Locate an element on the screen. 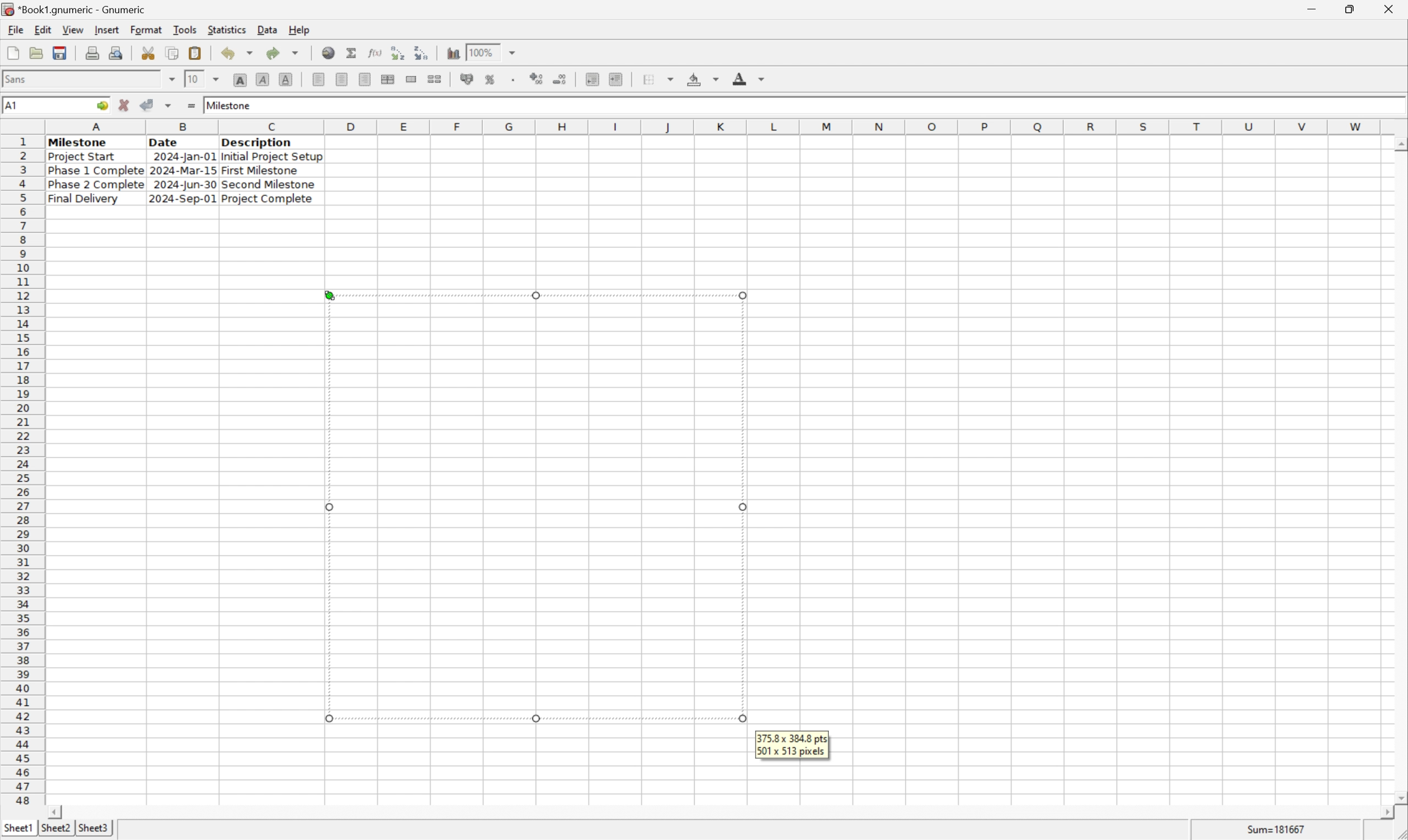 The height and width of the screenshot is (840, 1408). format is located at coordinates (145, 29).